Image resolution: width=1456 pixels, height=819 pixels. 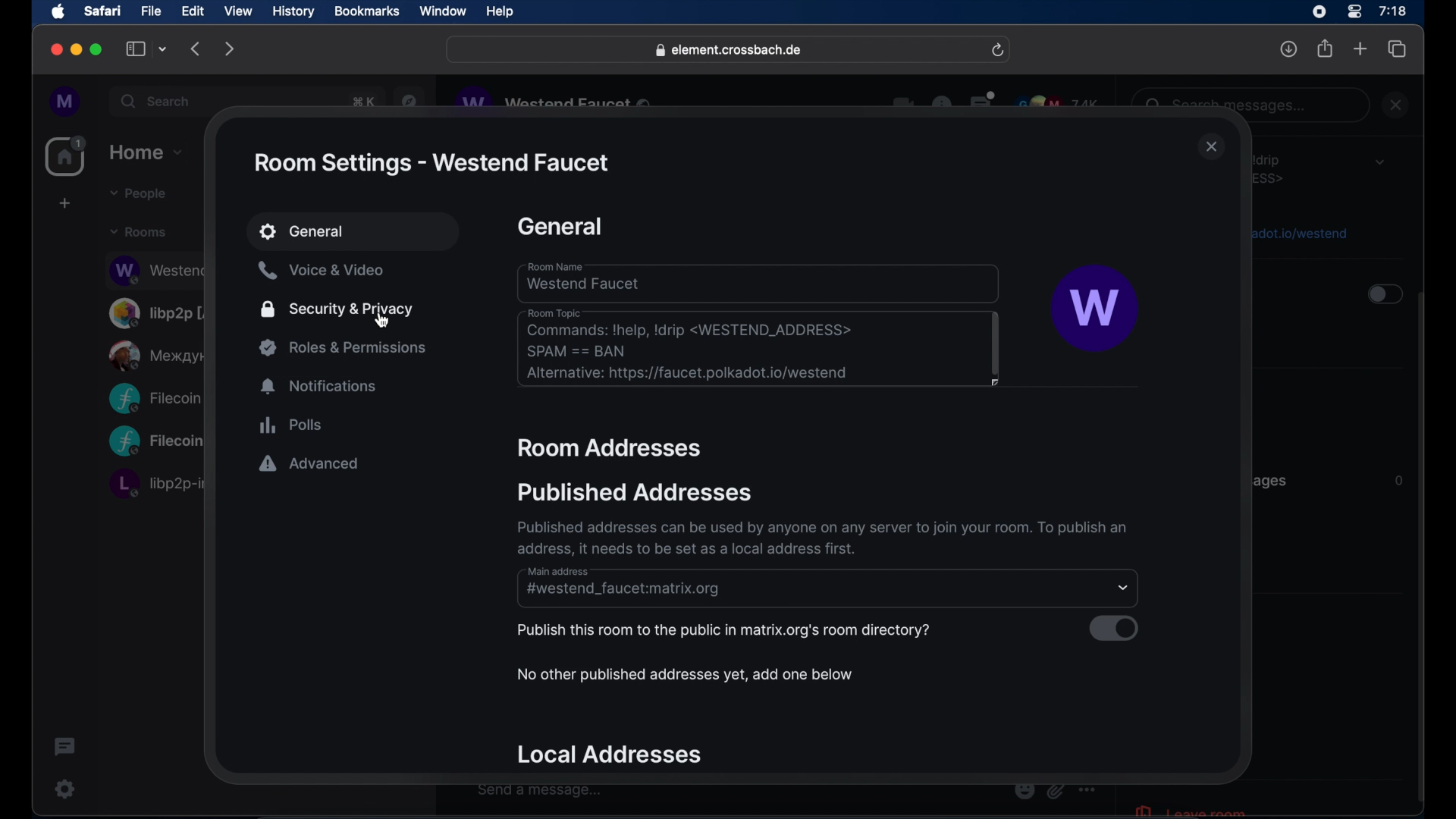 I want to click on window, so click(x=443, y=11).